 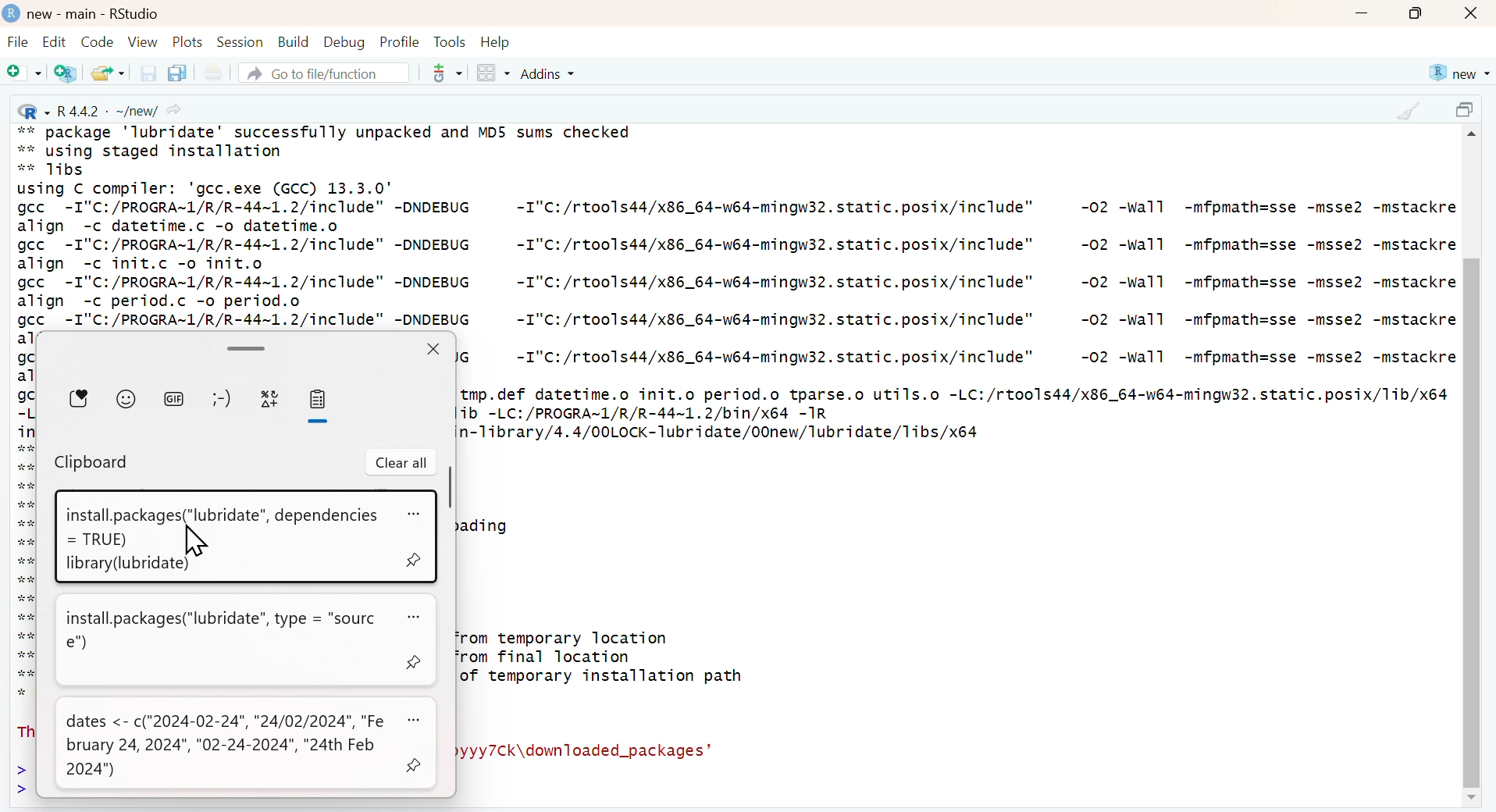 What do you see at coordinates (93, 464) in the screenshot?
I see `Clipboard` at bounding box center [93, 464].